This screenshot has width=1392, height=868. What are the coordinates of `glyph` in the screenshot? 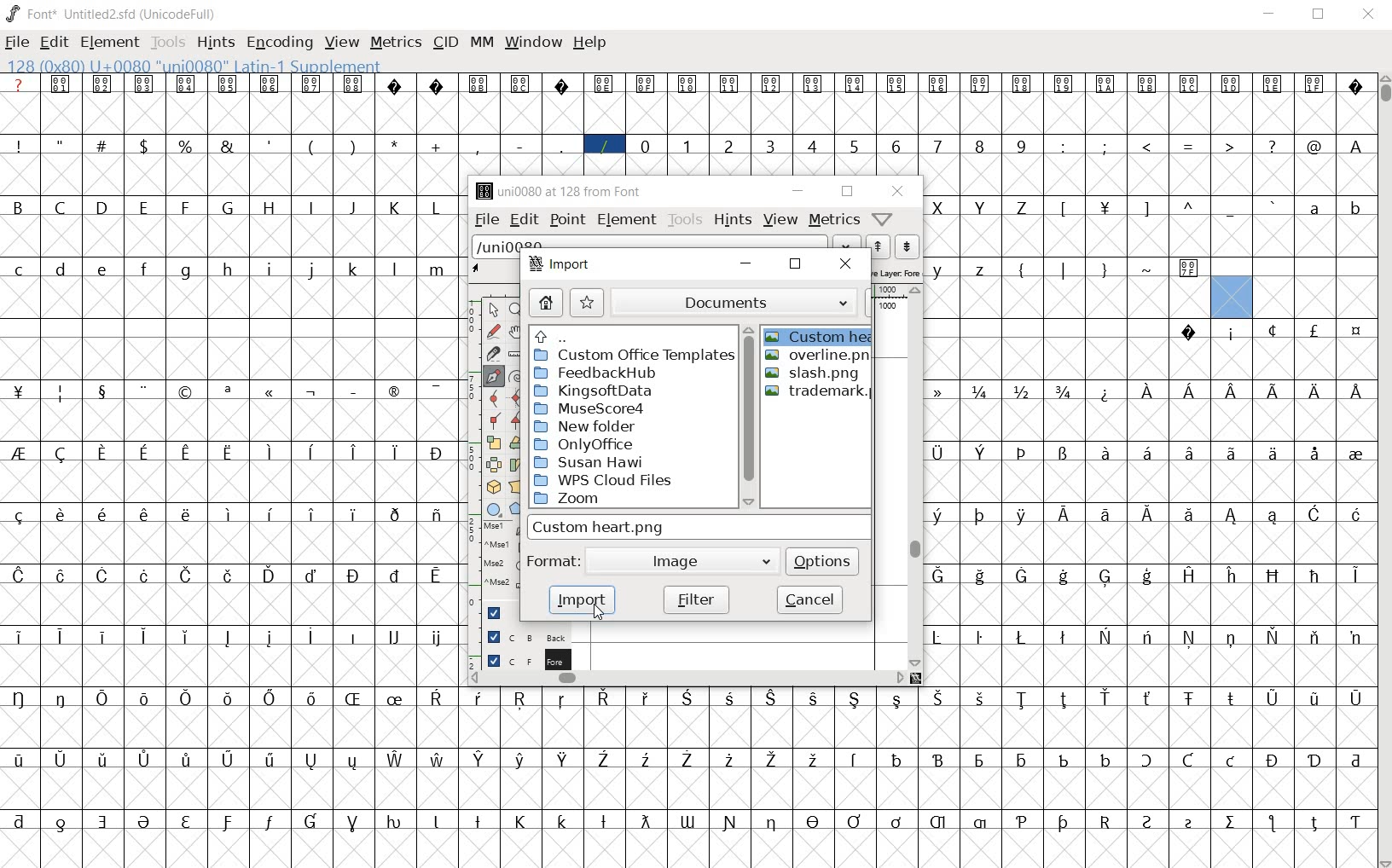 It's located at (476, 147).